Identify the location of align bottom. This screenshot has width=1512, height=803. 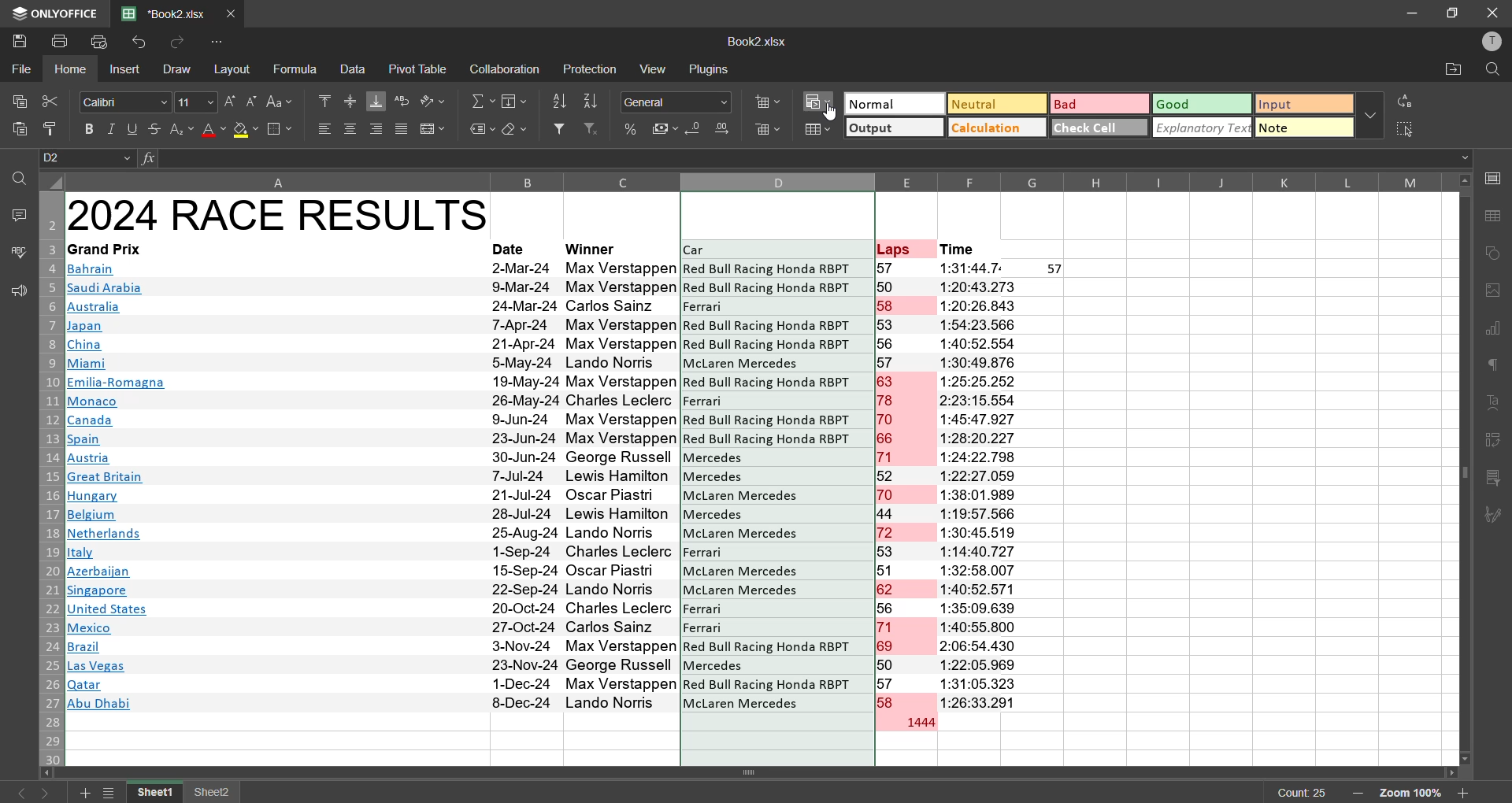
(377, 101).